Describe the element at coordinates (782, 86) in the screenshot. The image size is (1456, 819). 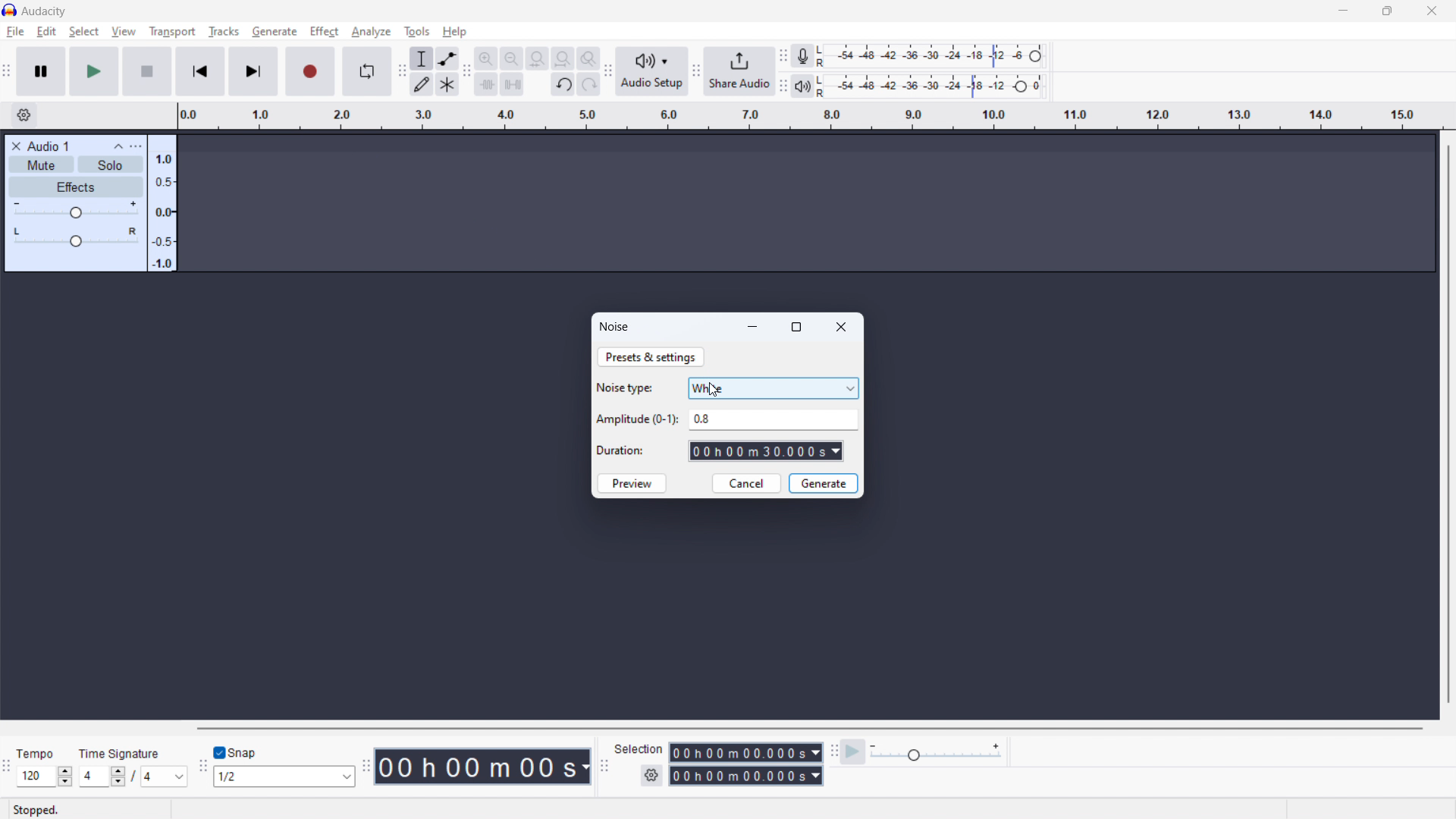
I see `playback meter toolbar` at that location.